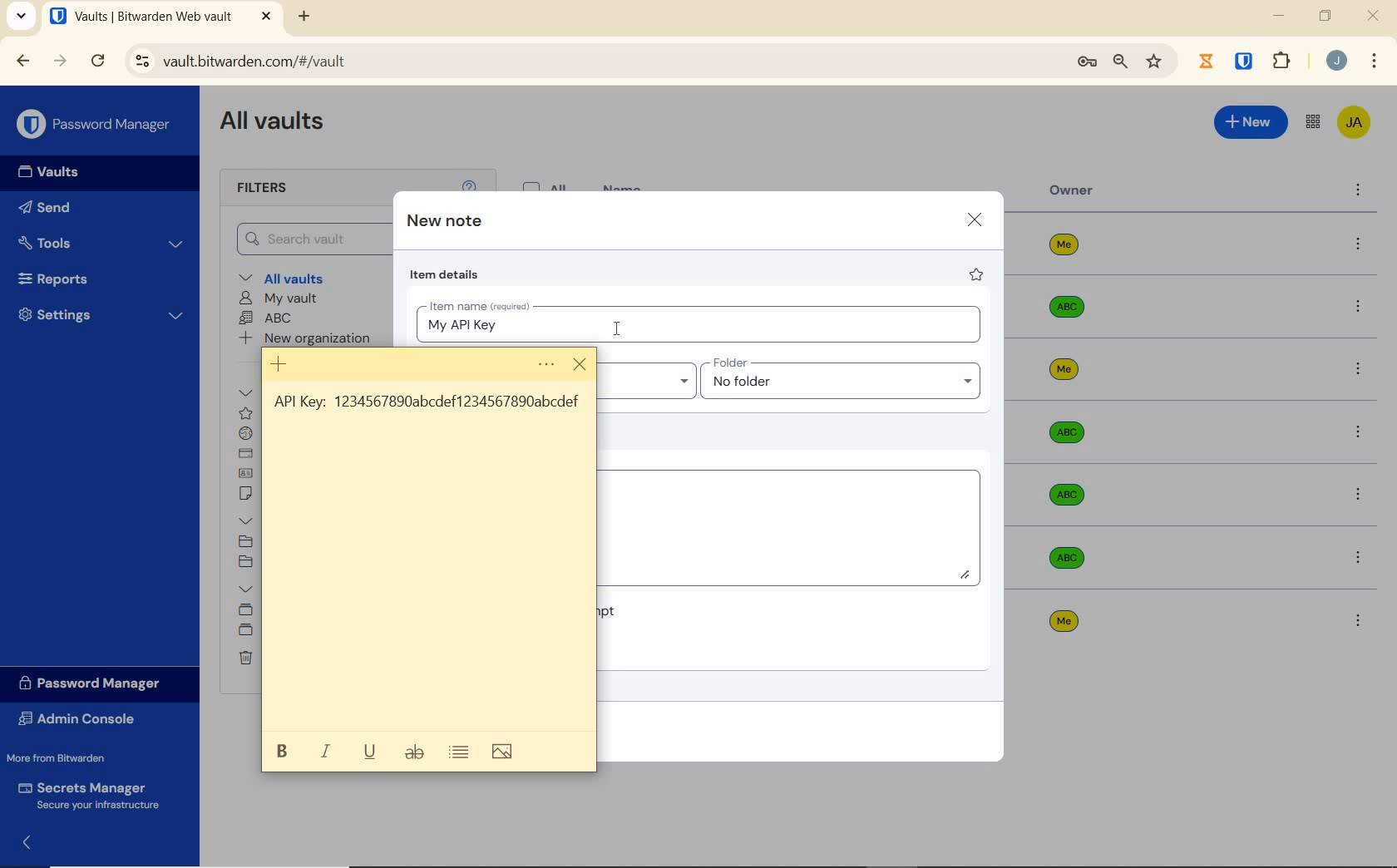 The height and width of the screenshot is (868, 1397). Describe the element at coordinates (367, 750) in the screenshot. I see `underline` at that location.